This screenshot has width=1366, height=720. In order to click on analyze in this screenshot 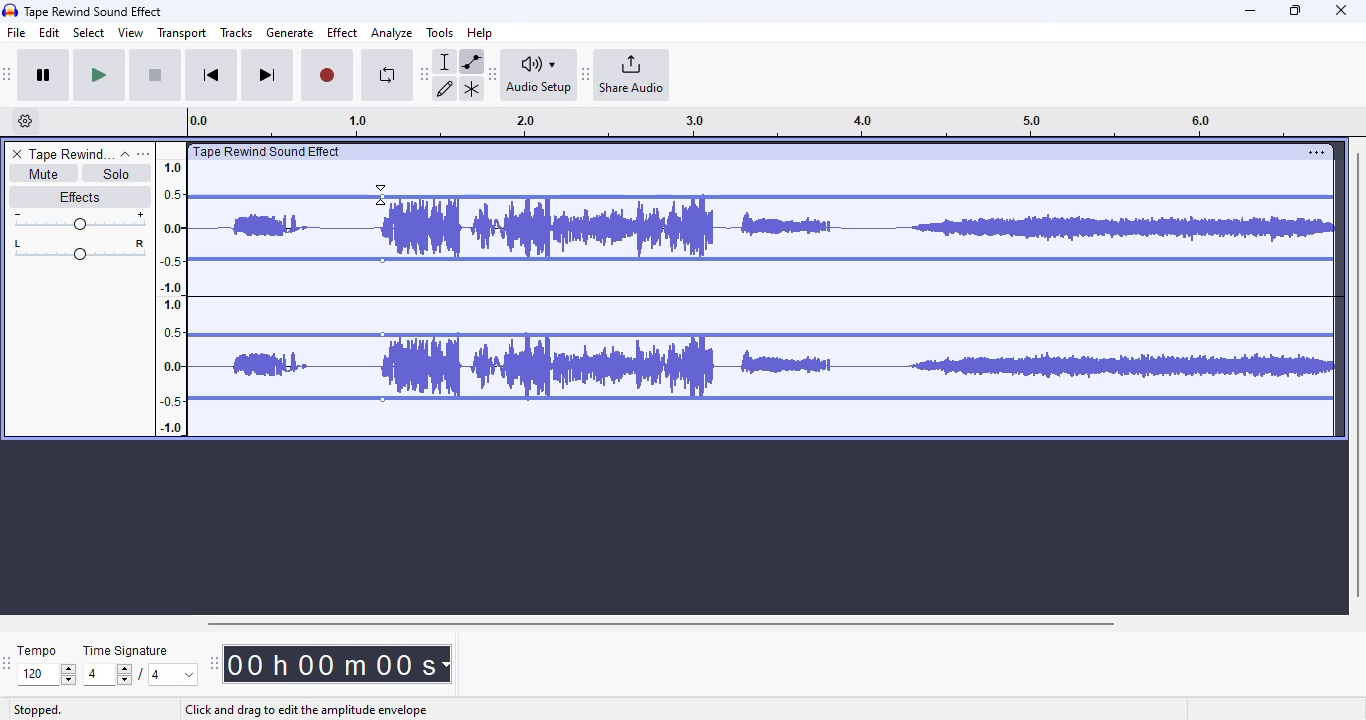, I will do `click(392, 33)`.